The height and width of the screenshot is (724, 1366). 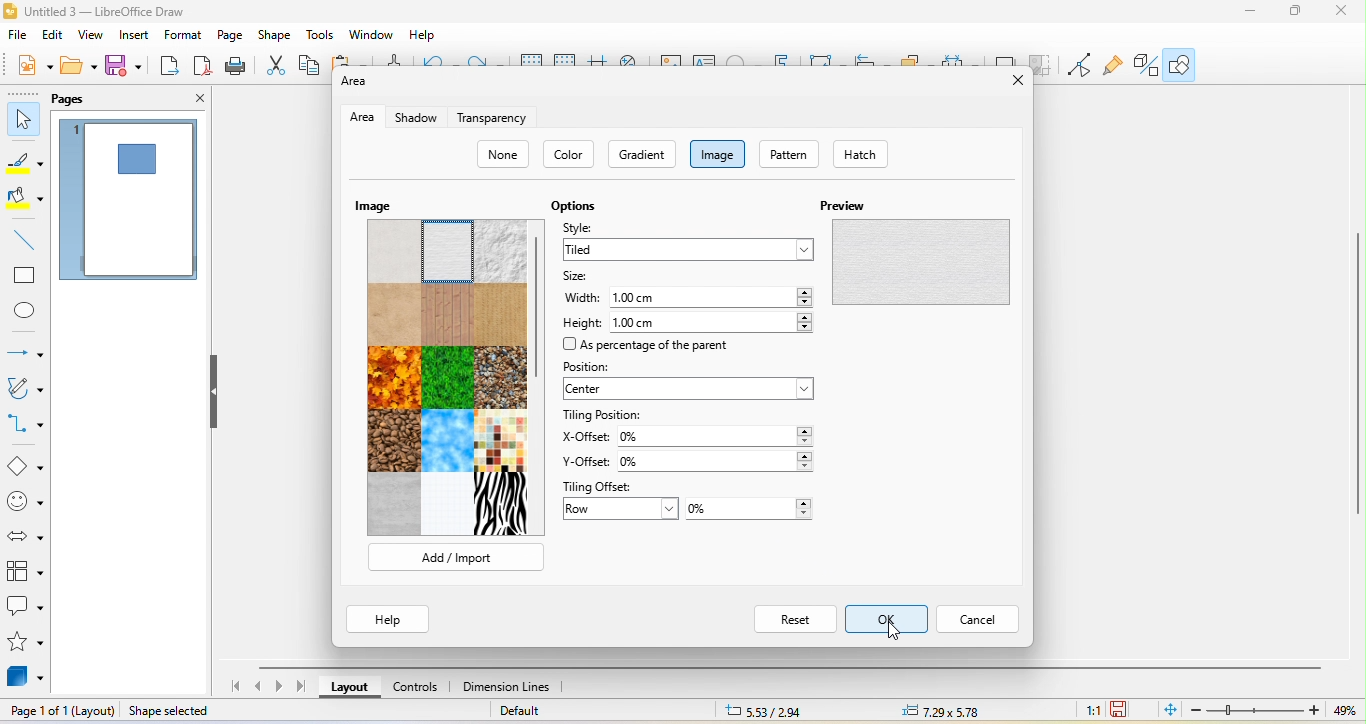 What do you see at coordinates (376, 205) in the screenshot?
I see `image` at bounding box center [376, 205].